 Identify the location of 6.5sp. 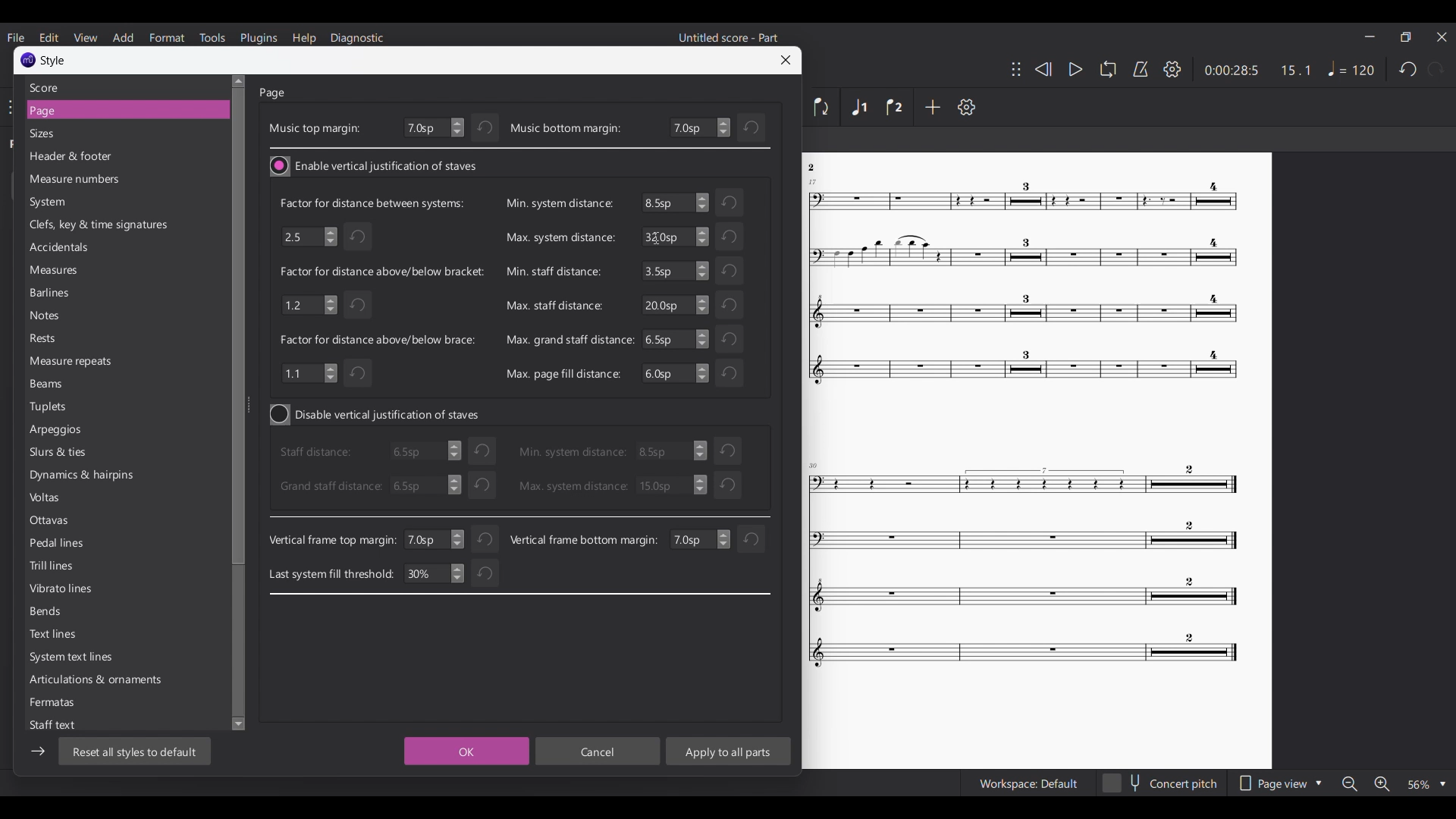
(676, 202).